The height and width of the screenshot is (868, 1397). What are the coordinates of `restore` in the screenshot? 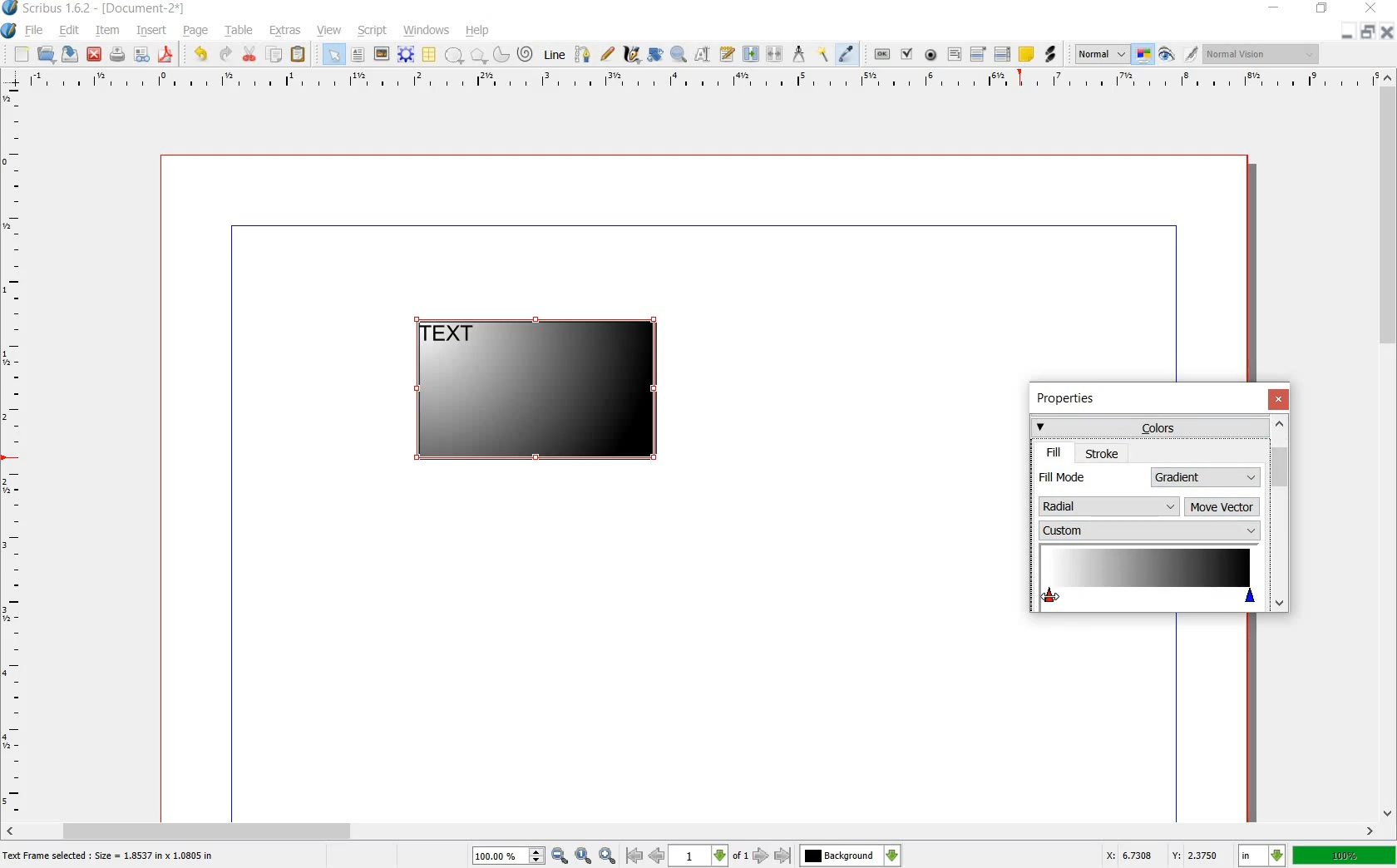 It's located at (1367, 33).